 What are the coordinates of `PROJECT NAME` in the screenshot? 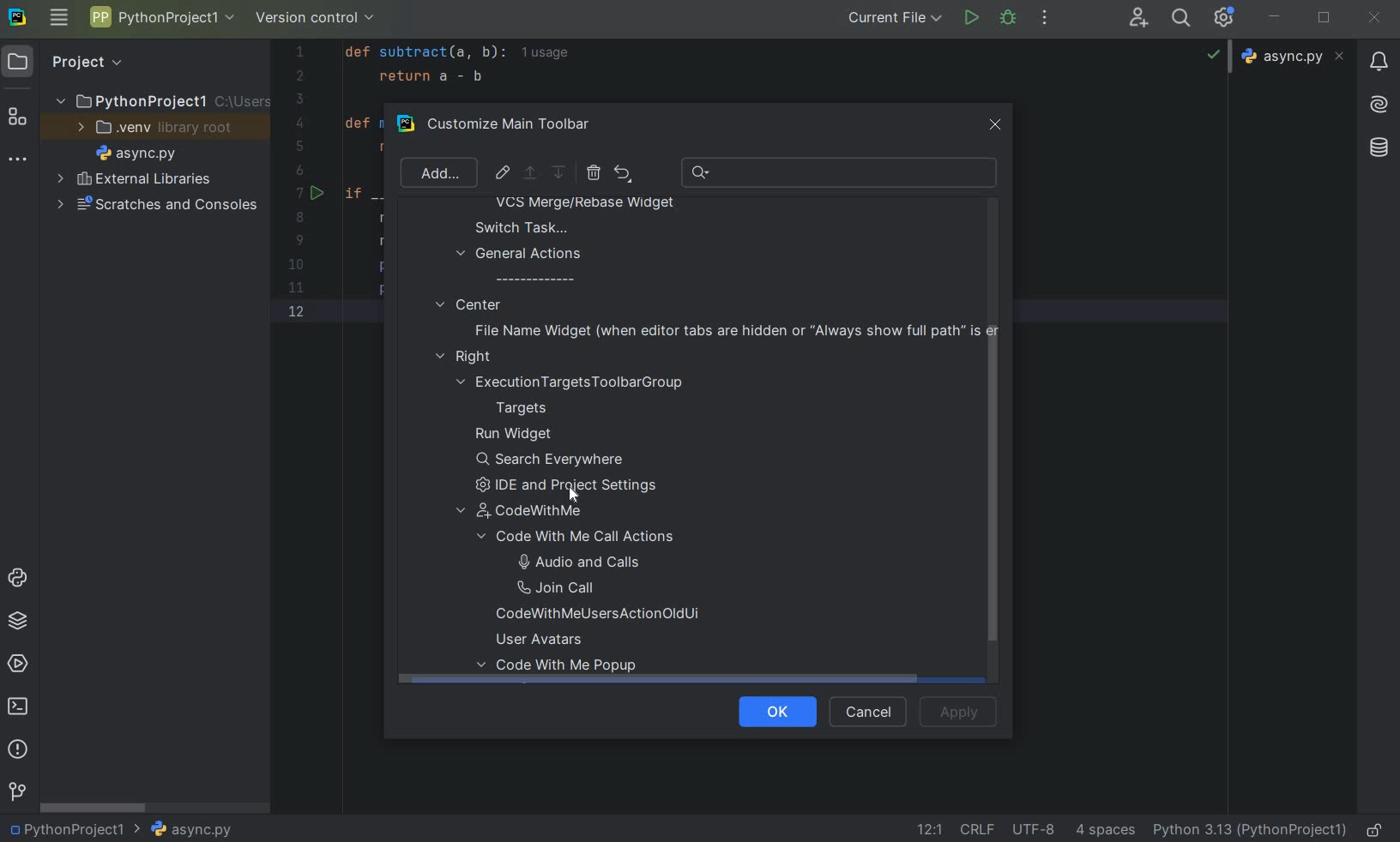 It's located at (160, 99).